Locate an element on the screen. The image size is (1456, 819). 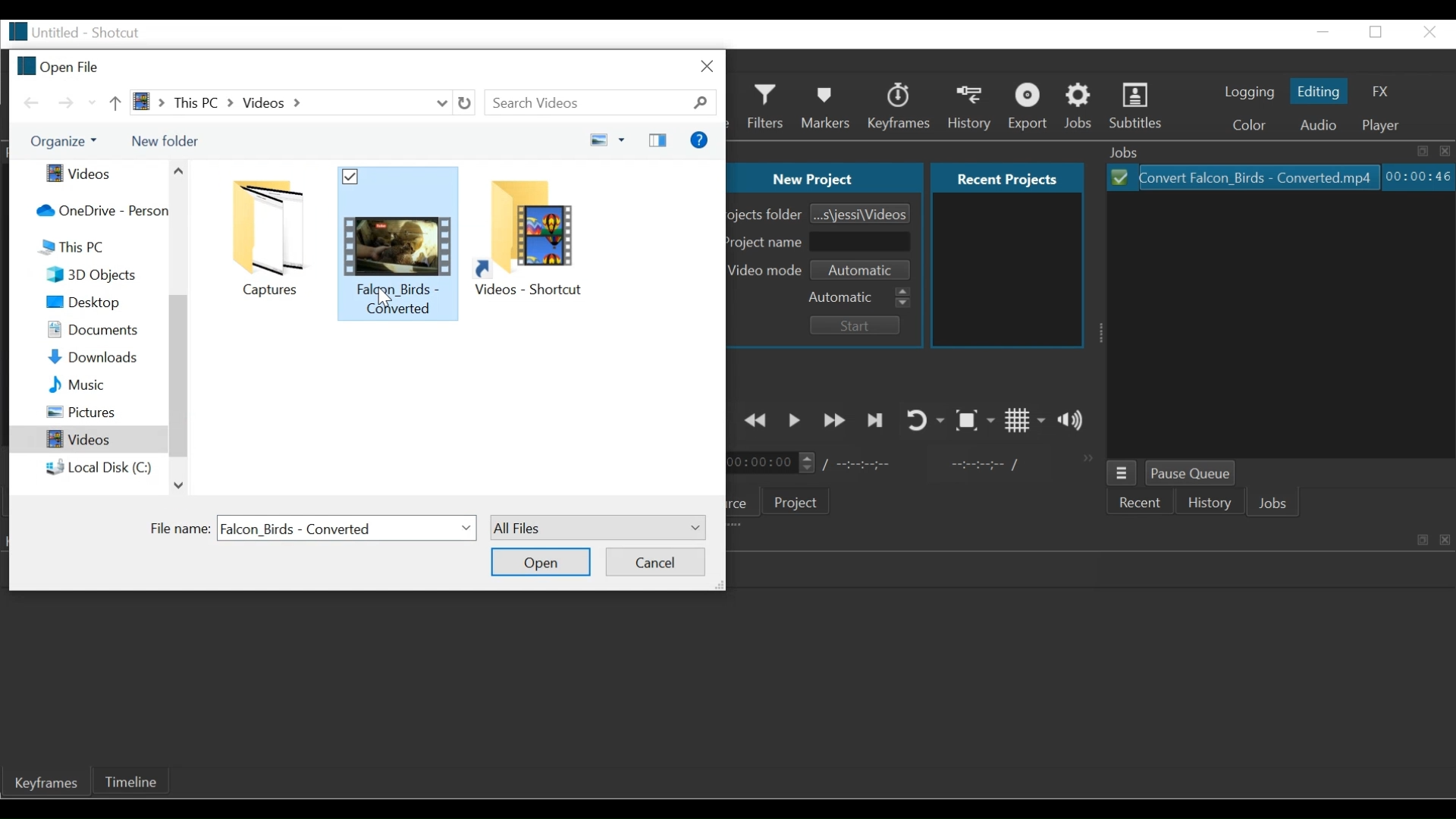
Open File is located at coordinates (60, 65).